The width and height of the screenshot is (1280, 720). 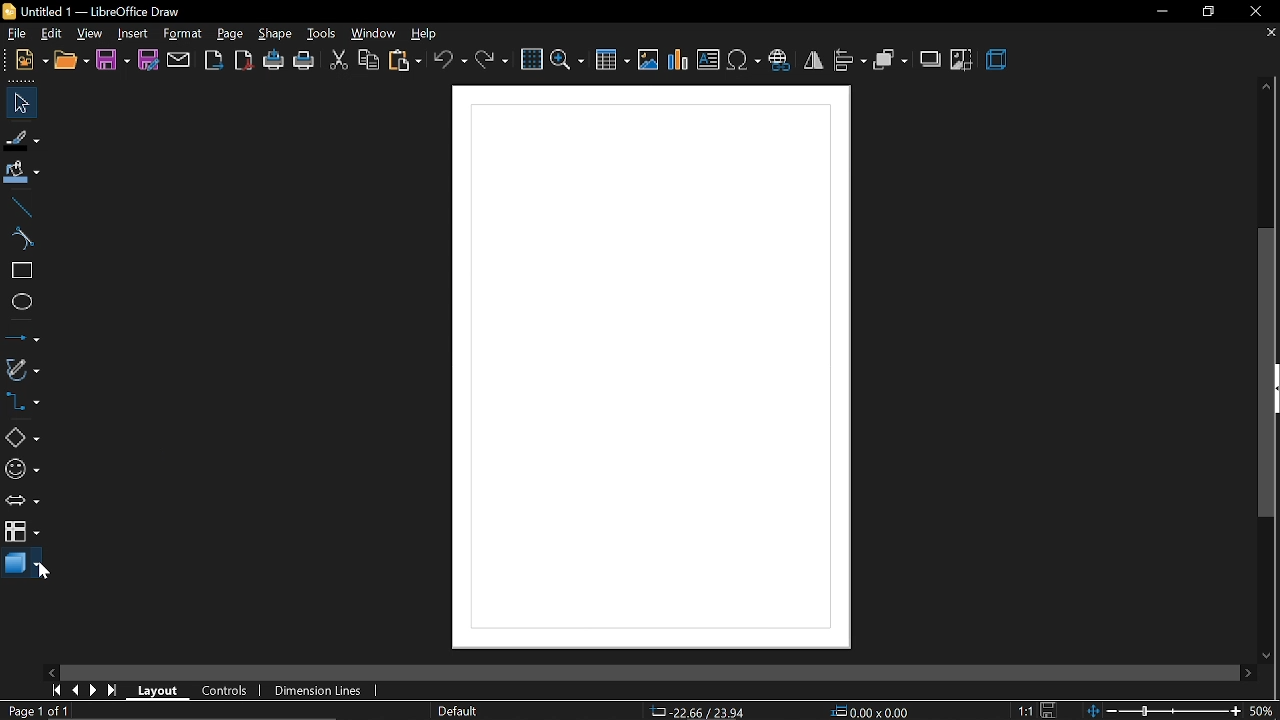 I want to click on save, so click(x=113, y=61).